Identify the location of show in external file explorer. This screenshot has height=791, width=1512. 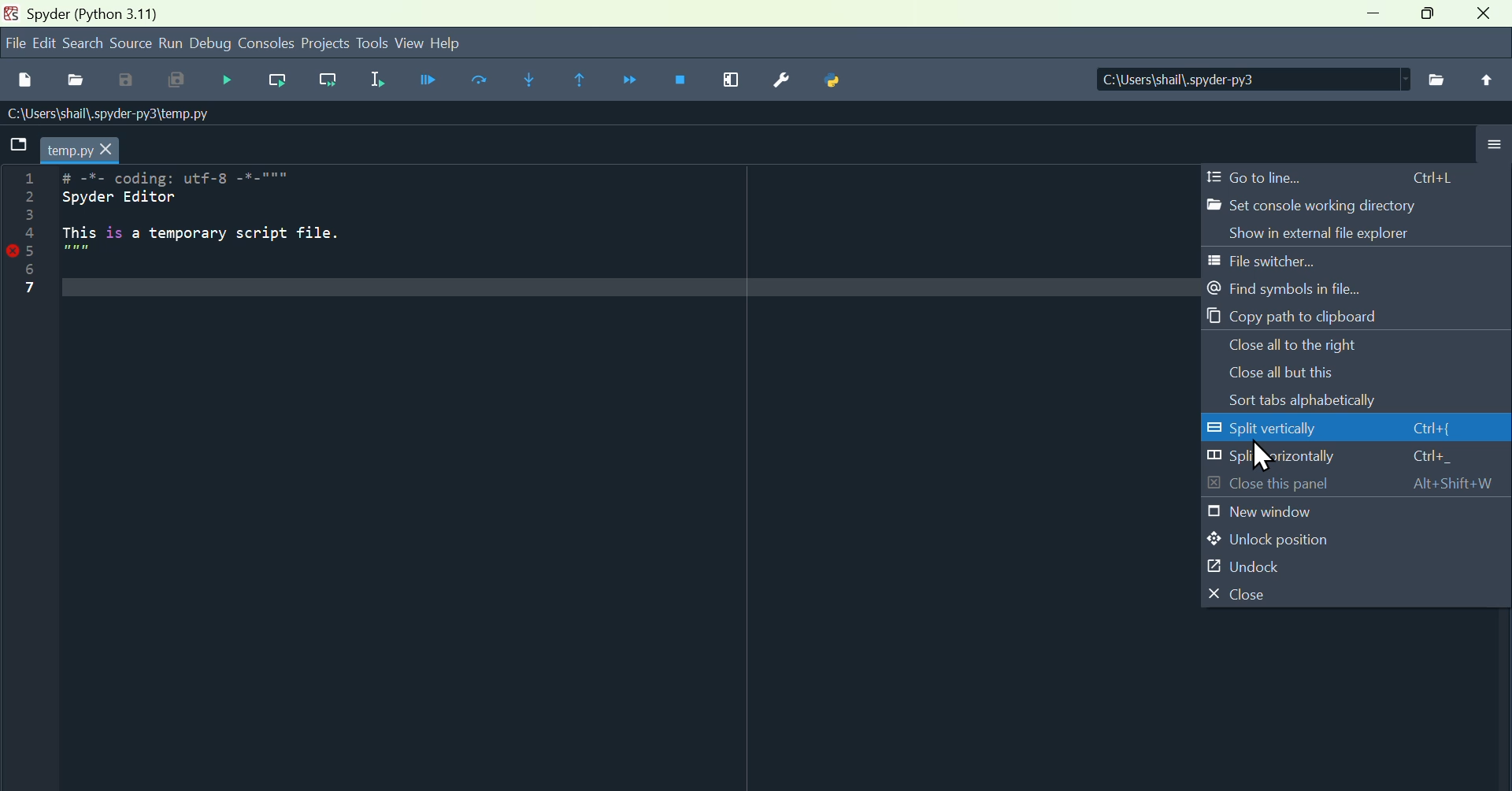
(1354, 234).